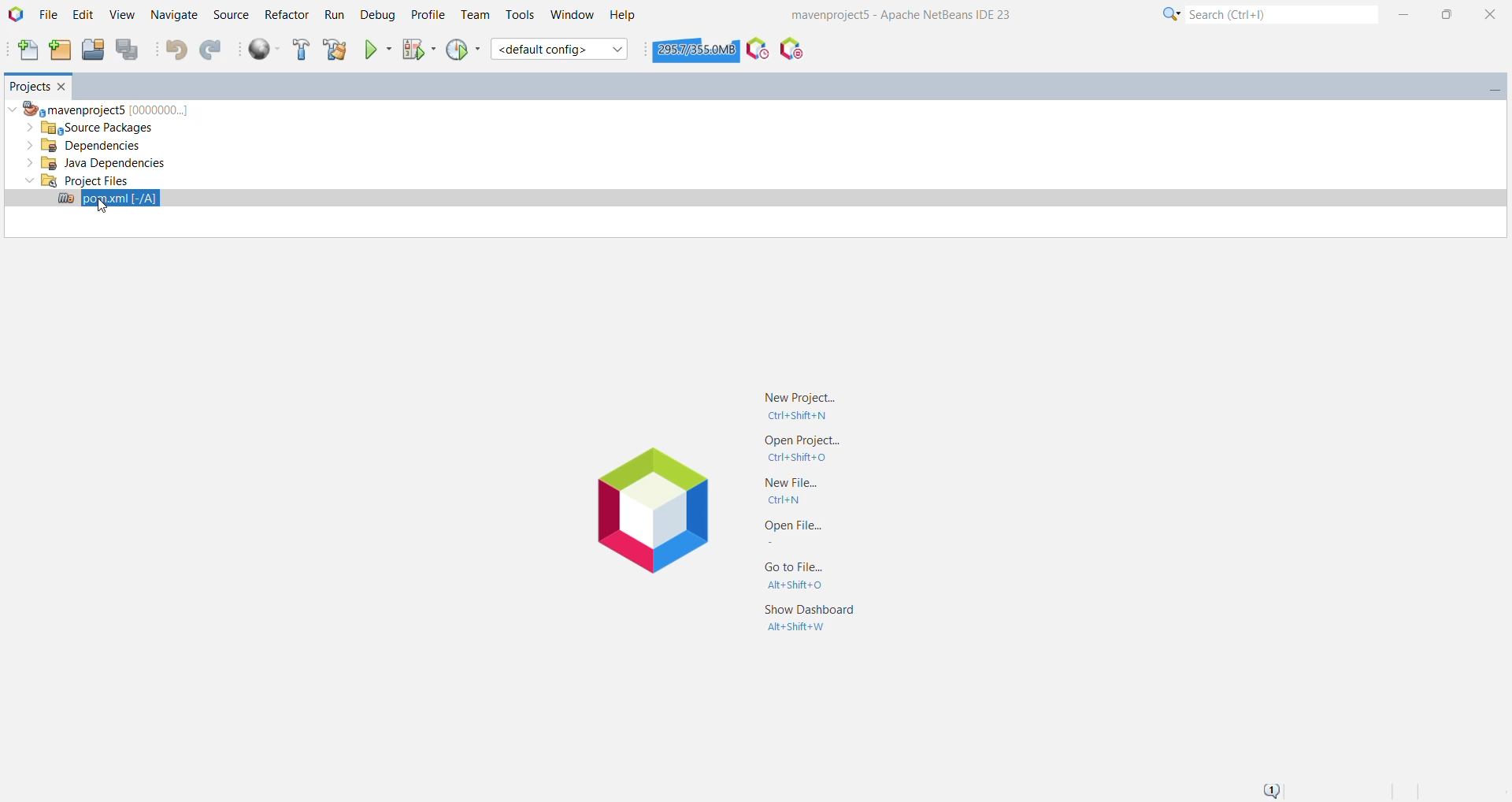  Describe the element at coordinates (286, 13) in the screenshot. I see `Refactor` at that location.